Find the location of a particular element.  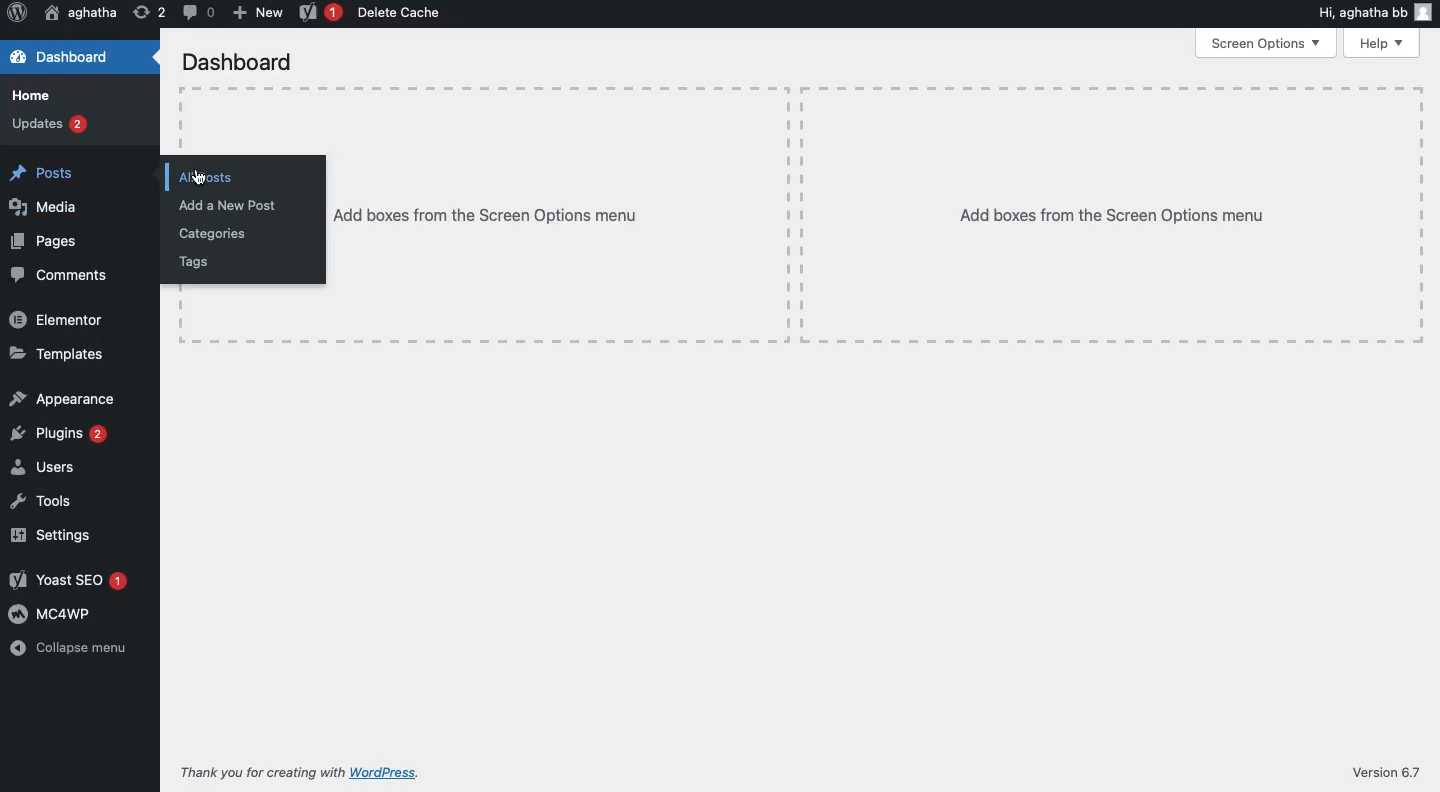

Pages is located at coordinates (46, 240).